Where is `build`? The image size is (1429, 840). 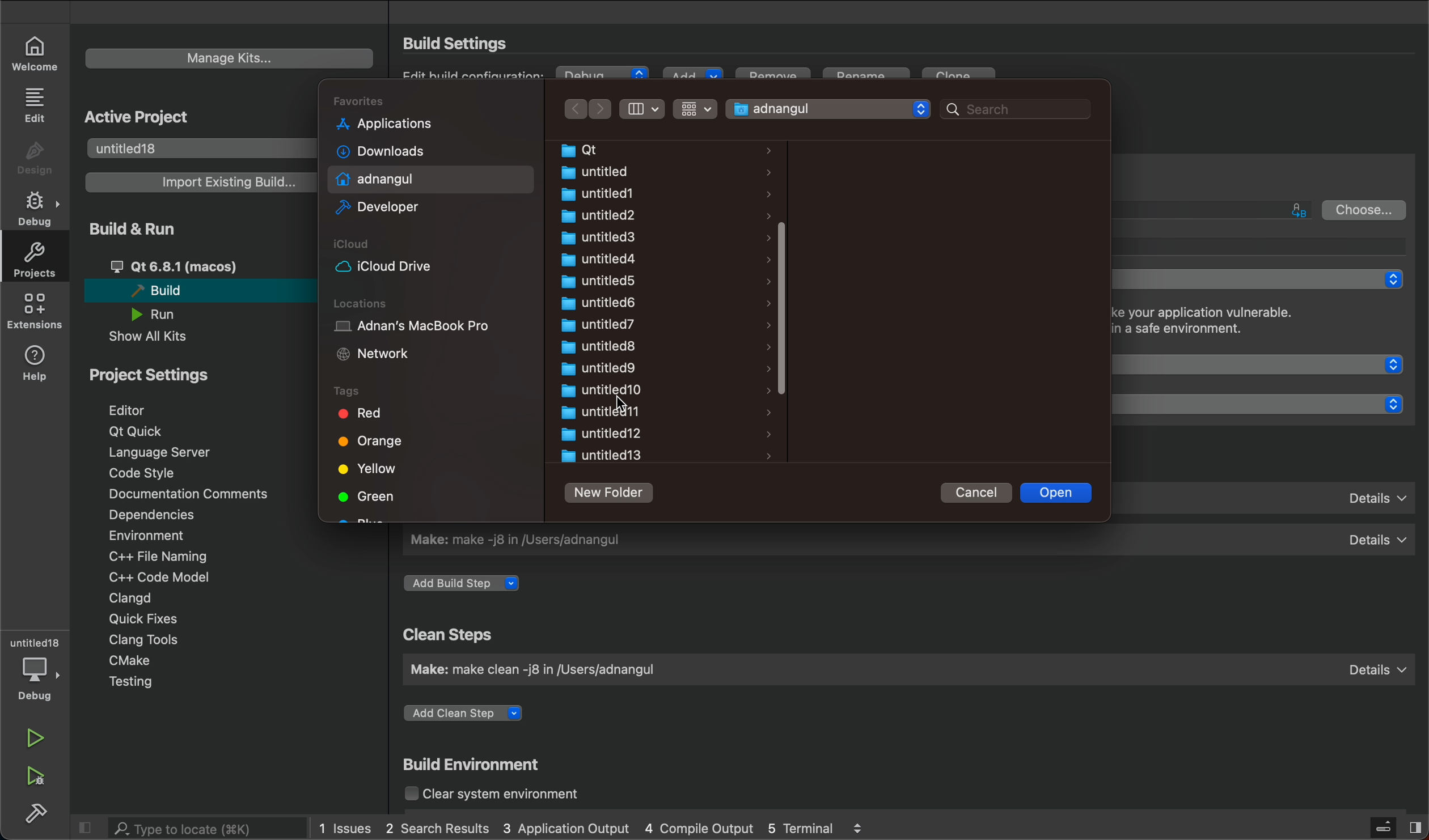 build is located at coordinates (37, 814).